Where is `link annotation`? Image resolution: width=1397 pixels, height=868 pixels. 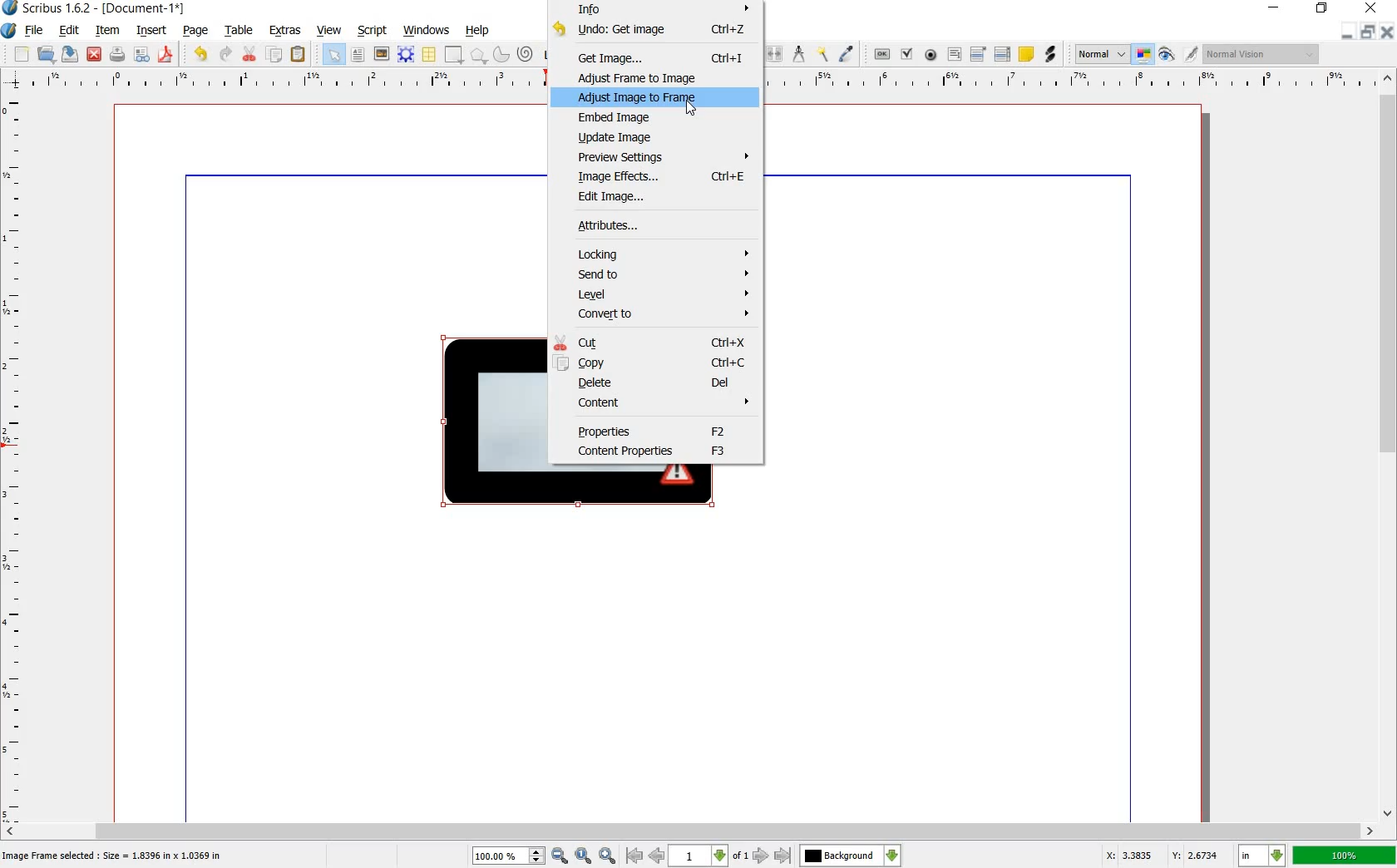
link annotation is located at coordinates (1051, 55).